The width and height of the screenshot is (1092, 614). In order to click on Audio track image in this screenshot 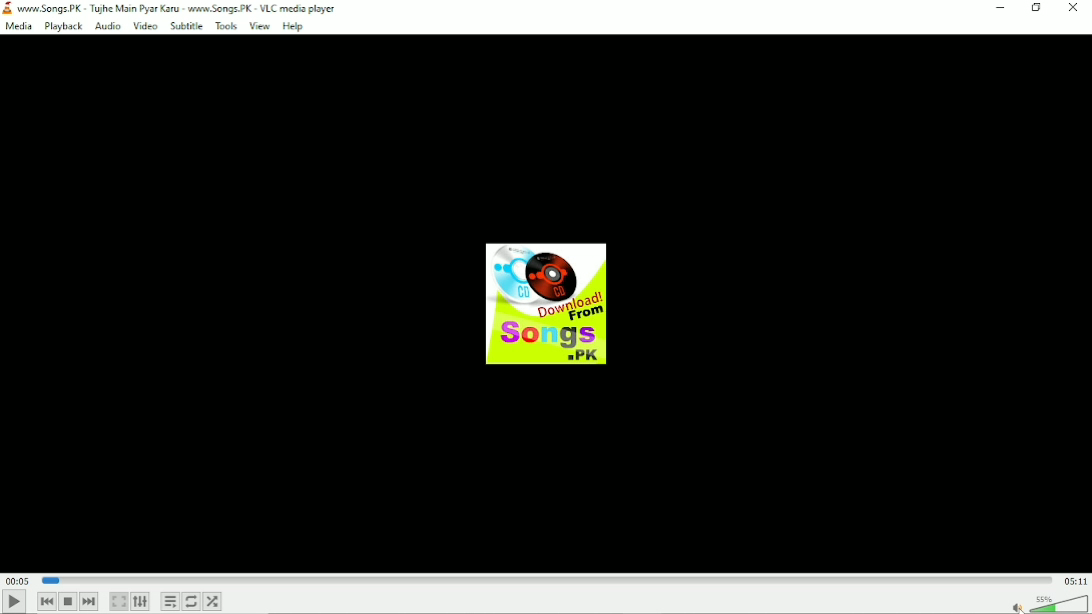, I will do `click(548, 304)`.